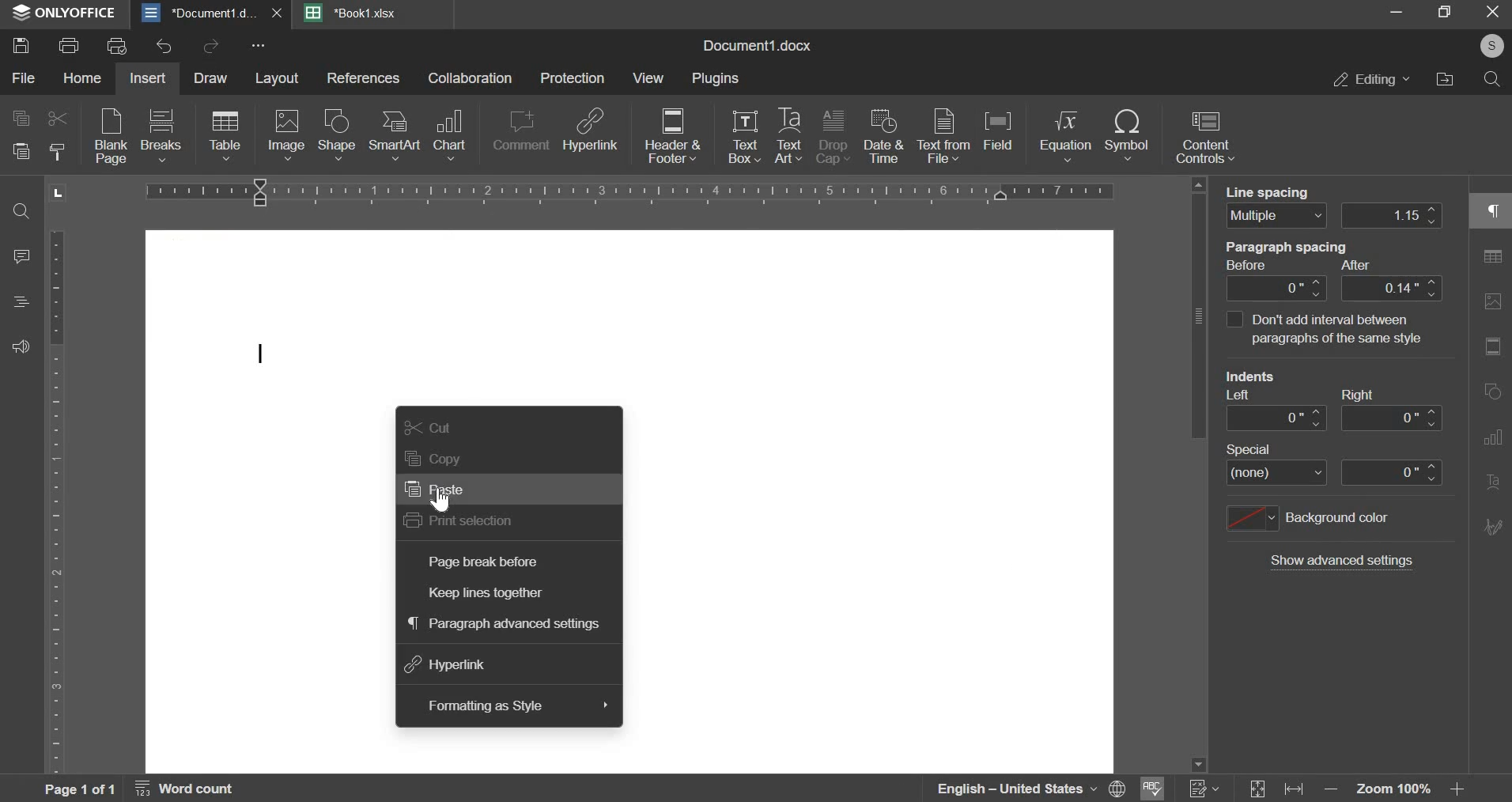  Describe the element at coordinates (69, 46) in the screenshot. I see `print` at that location.